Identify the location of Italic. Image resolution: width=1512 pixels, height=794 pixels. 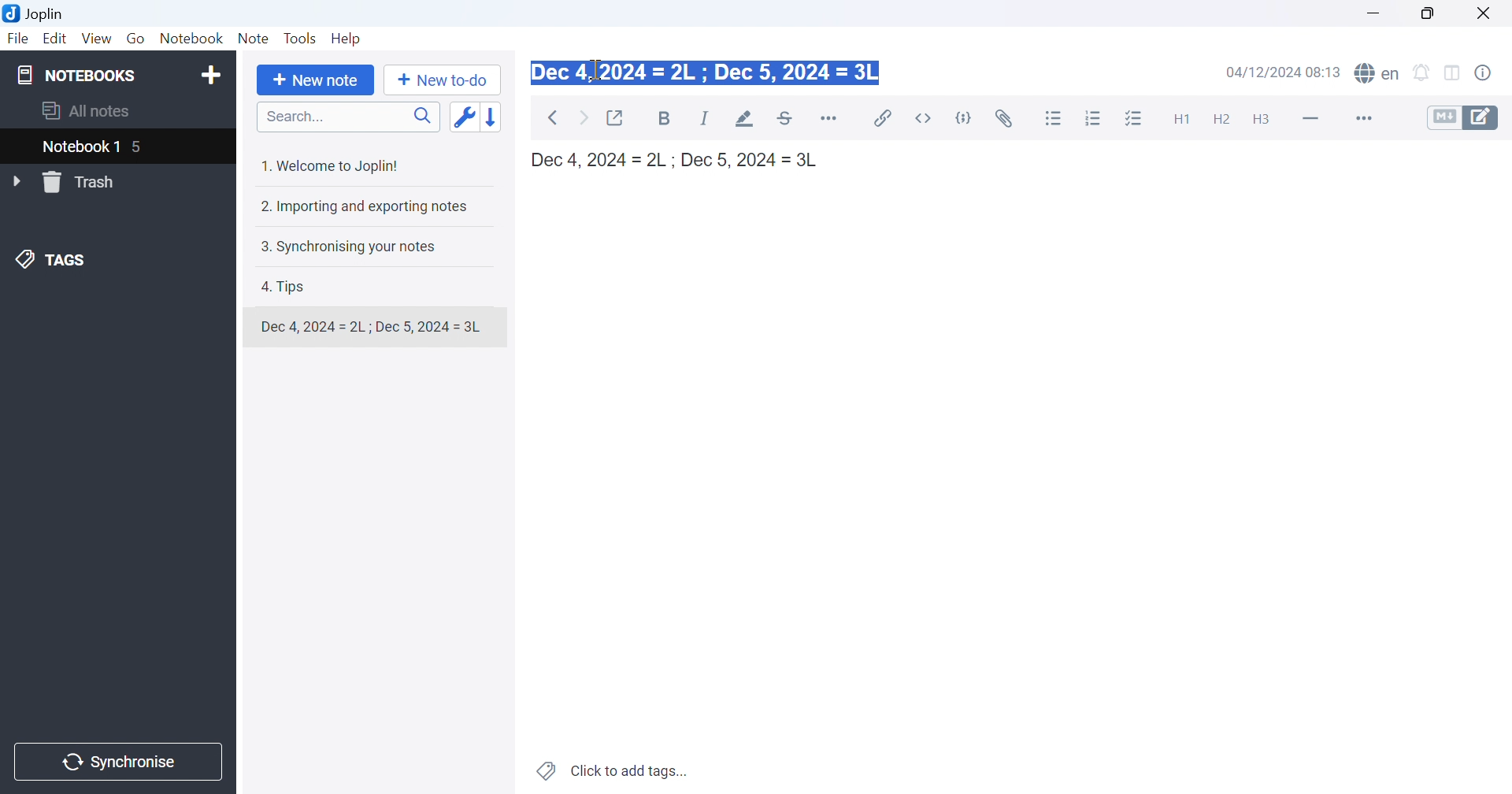
(706, 118).